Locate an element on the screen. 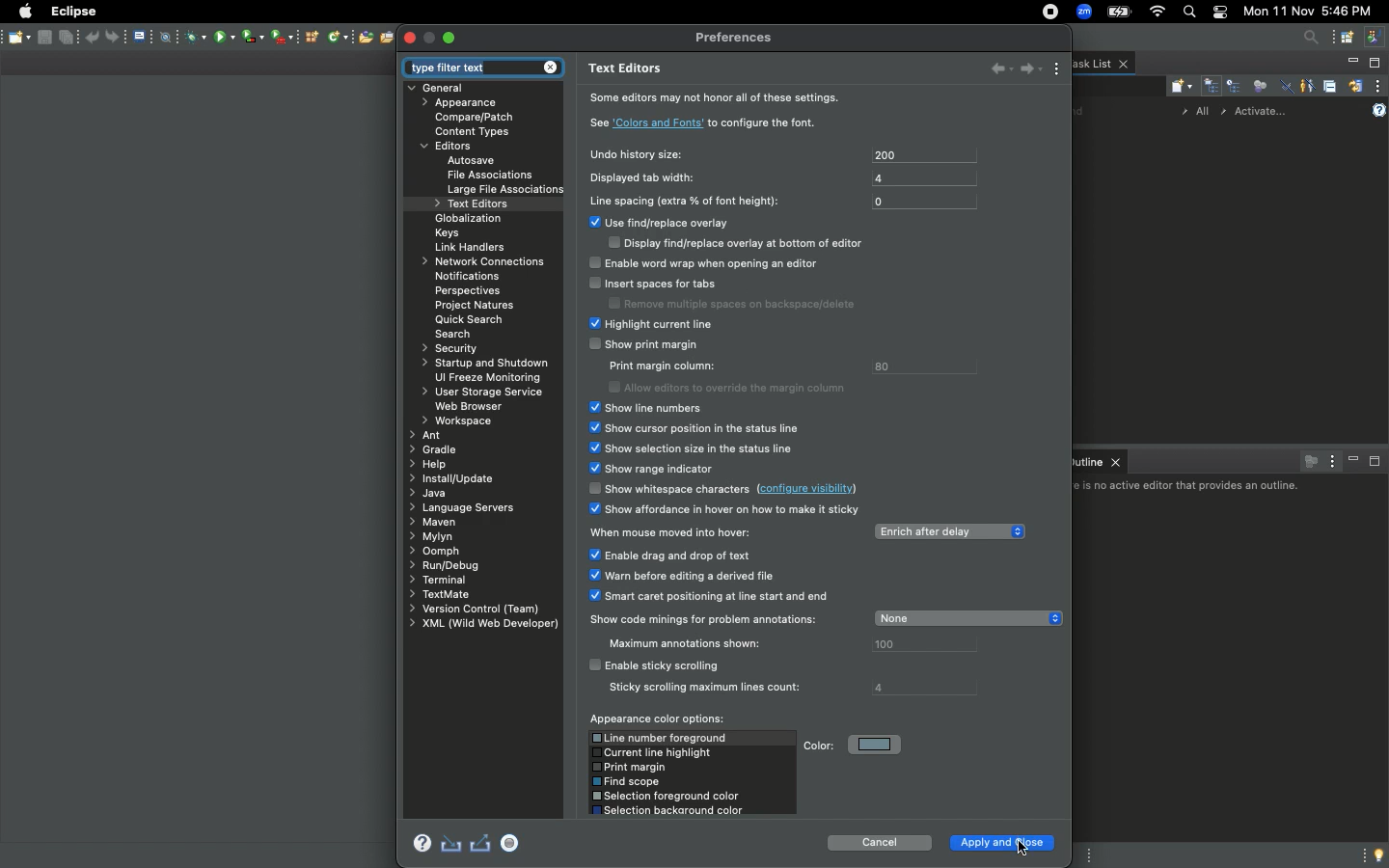  Color is located at coordinates (854, 743).